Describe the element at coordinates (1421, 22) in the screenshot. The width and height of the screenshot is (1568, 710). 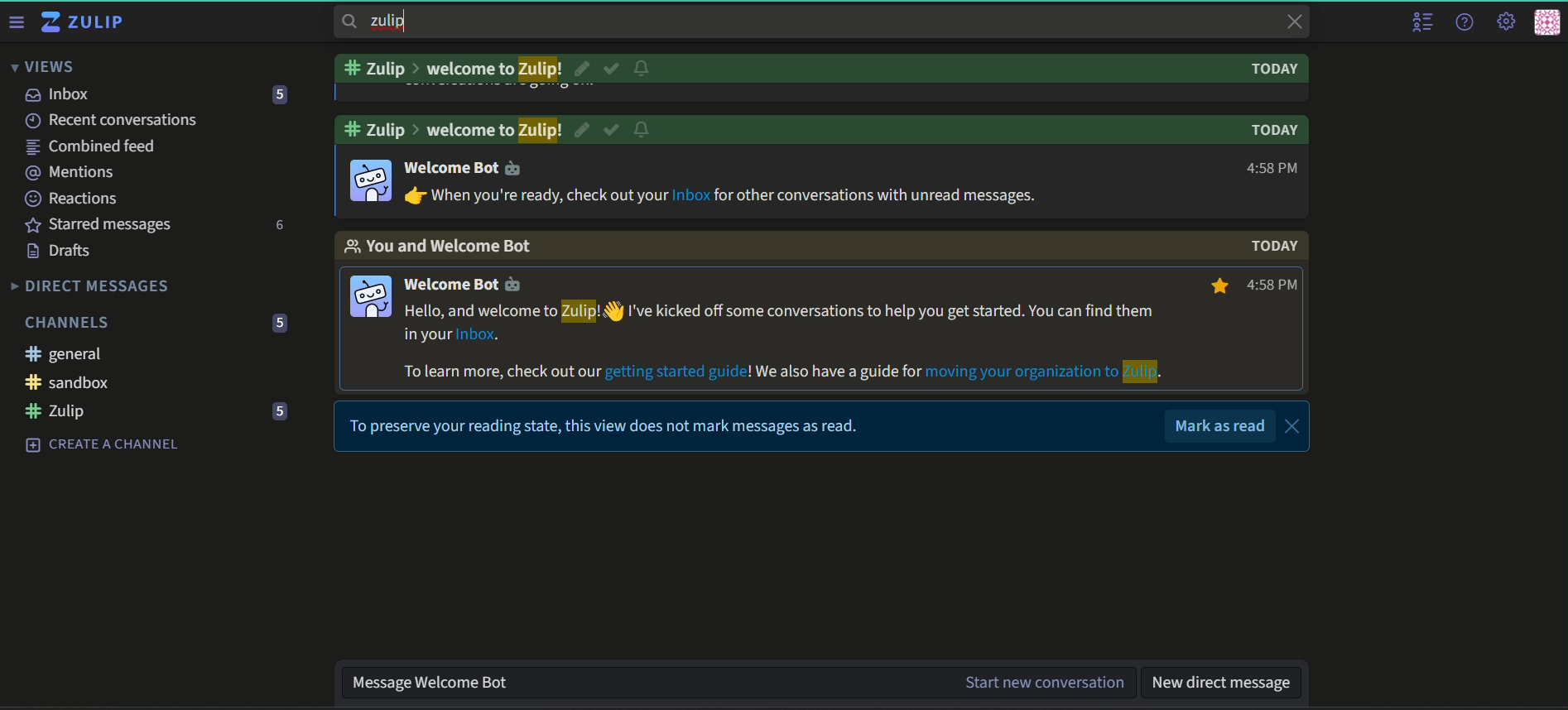
I see `user list` at that location.